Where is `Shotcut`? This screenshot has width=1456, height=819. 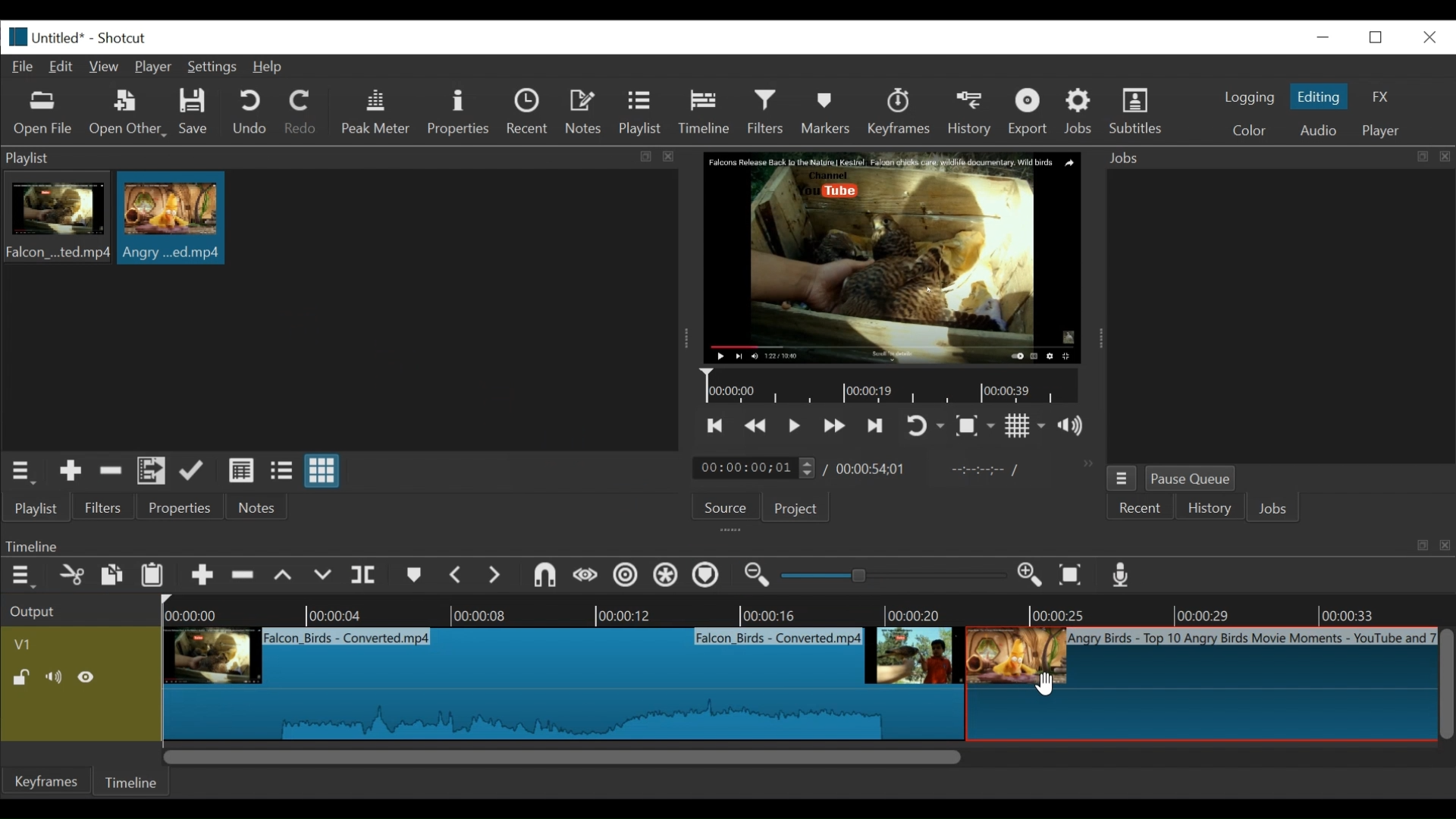
Shotcut is located at coordinates (121, 39).